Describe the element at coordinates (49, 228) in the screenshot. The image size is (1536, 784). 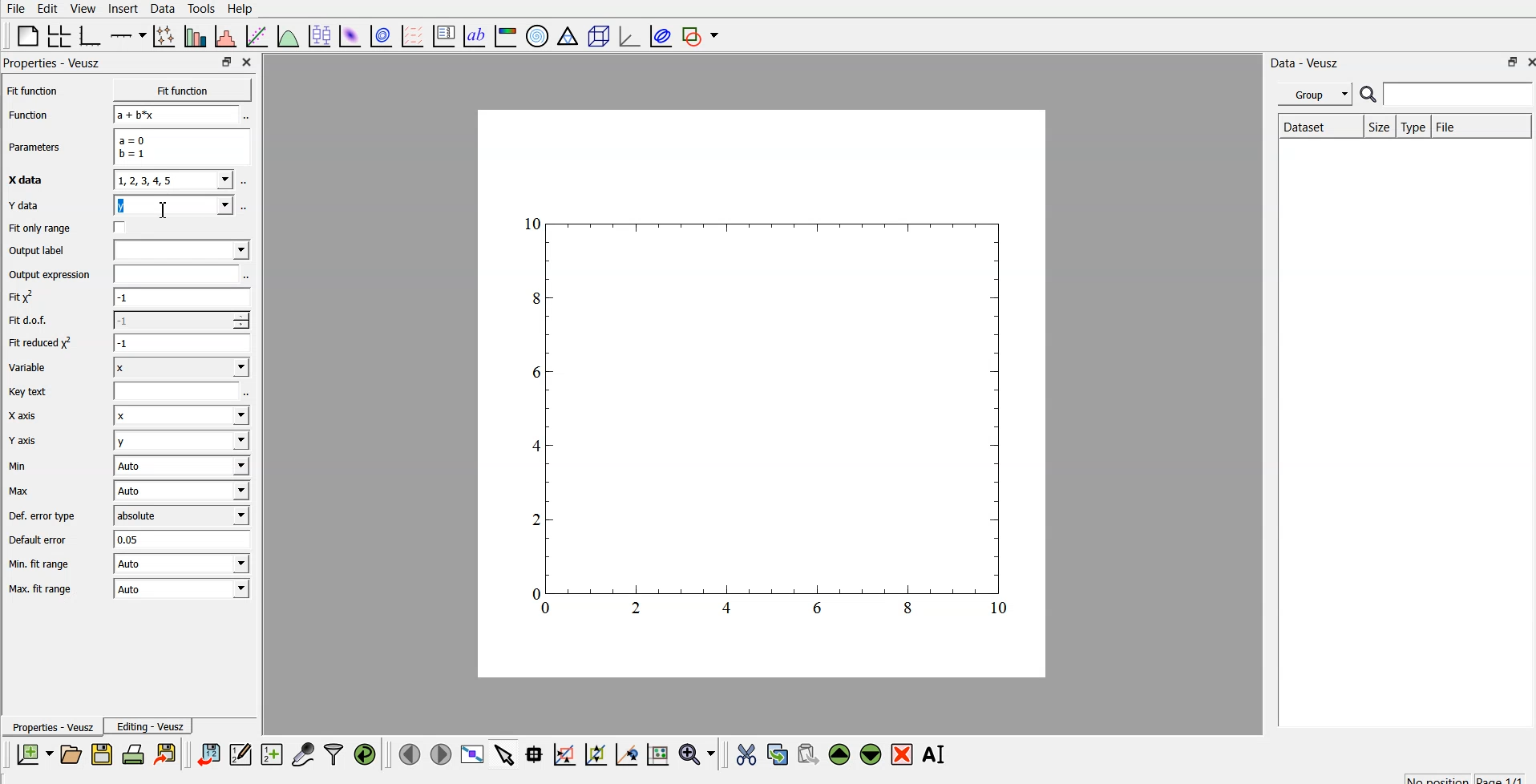
I see `Fit only range` at that location.